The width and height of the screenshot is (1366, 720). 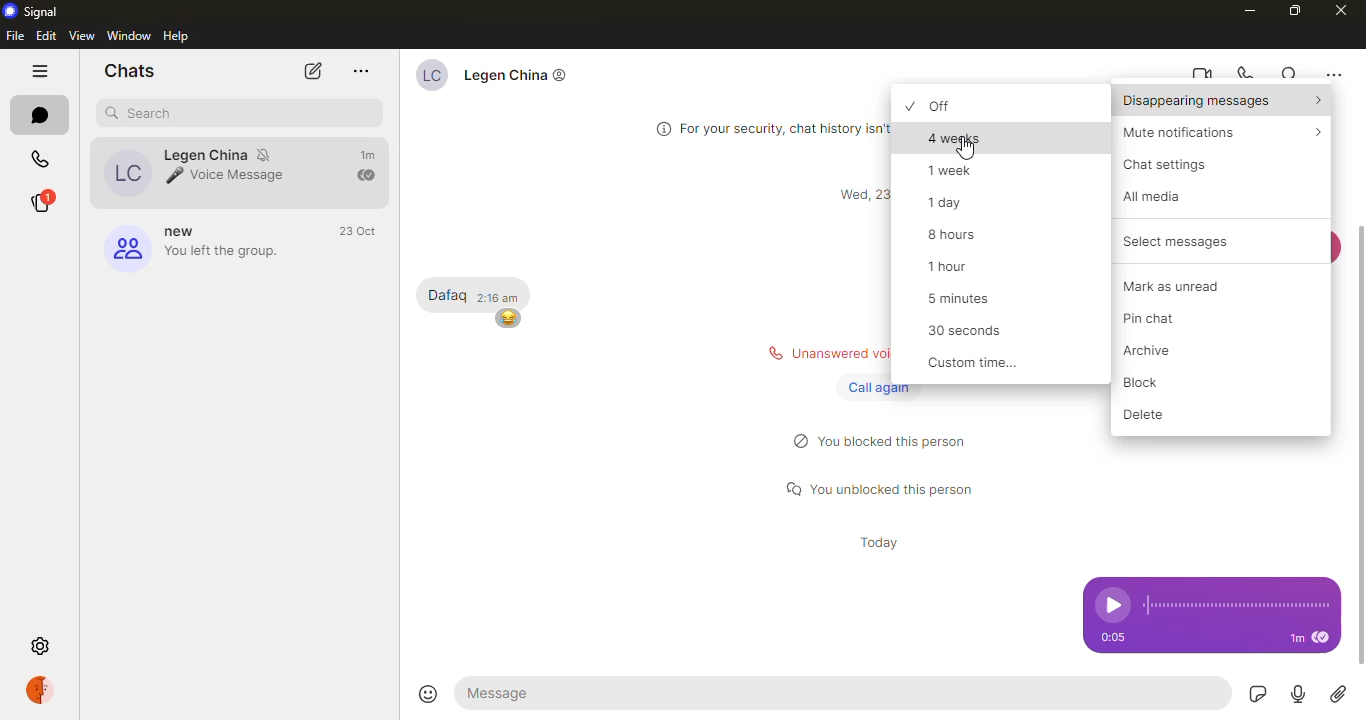 I want to click on message, so click(x=551, y=692).